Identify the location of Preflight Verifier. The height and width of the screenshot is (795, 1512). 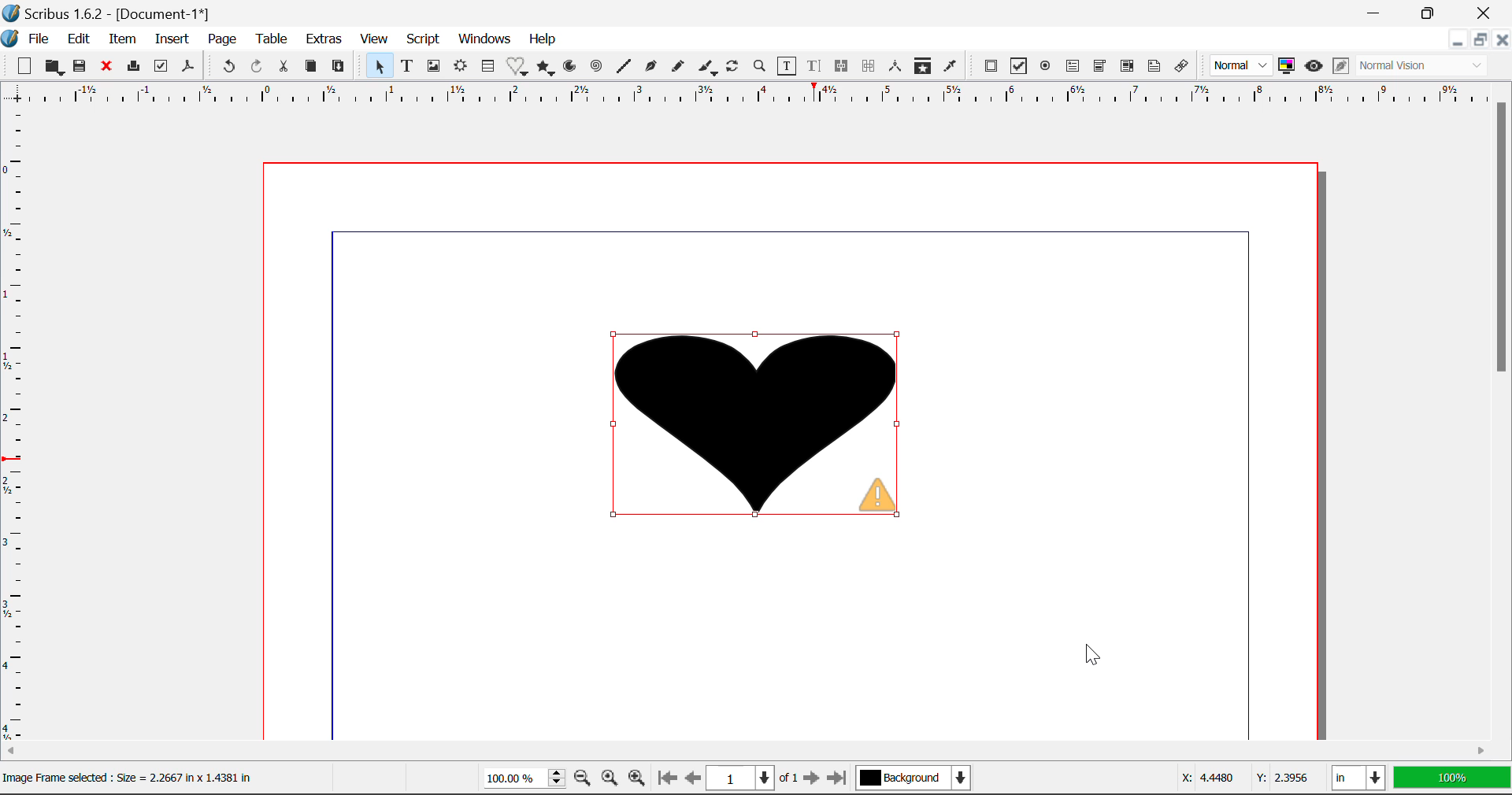
(162, 70).